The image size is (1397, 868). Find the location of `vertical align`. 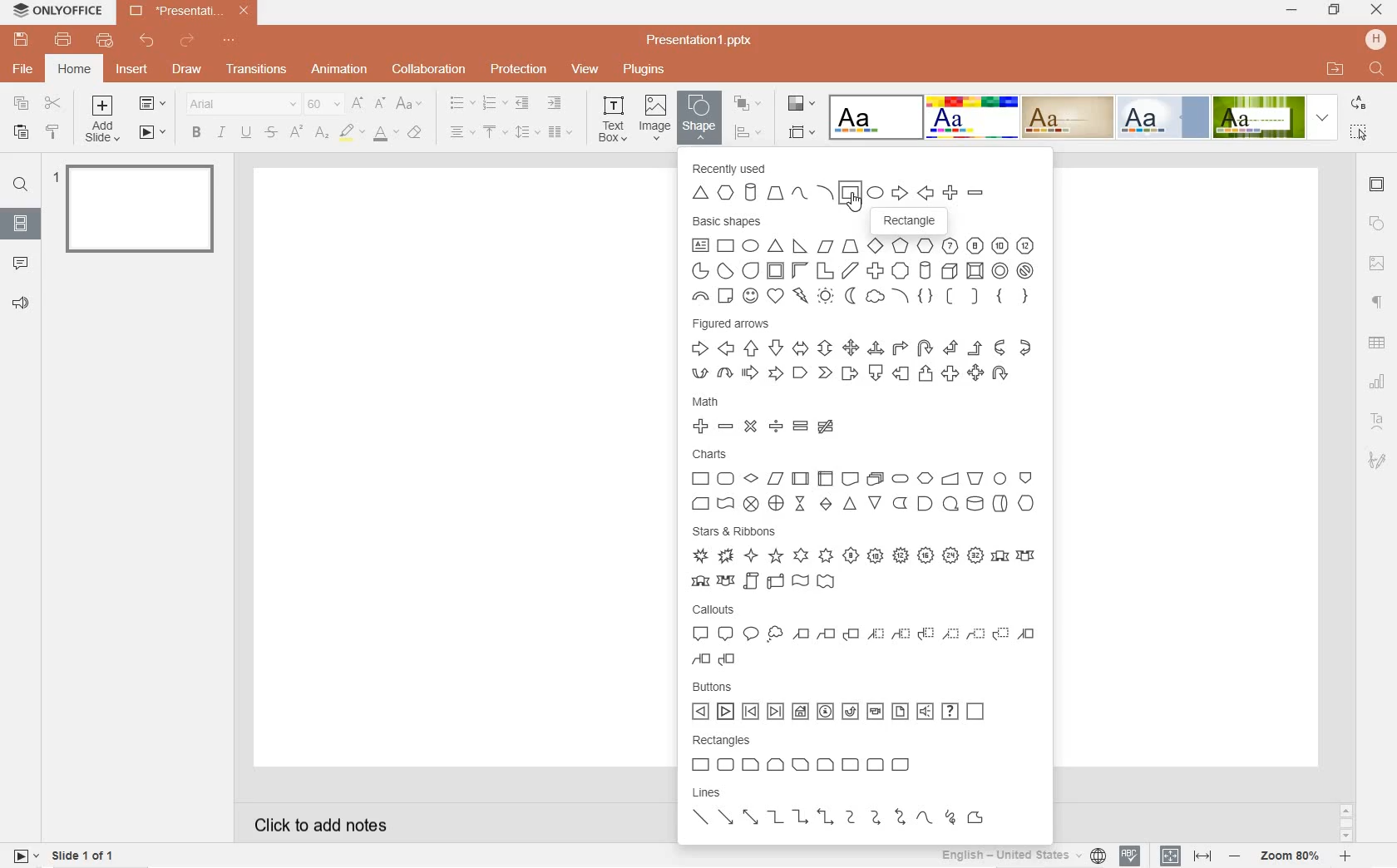

vertical align is located at coordinates (496, 133).